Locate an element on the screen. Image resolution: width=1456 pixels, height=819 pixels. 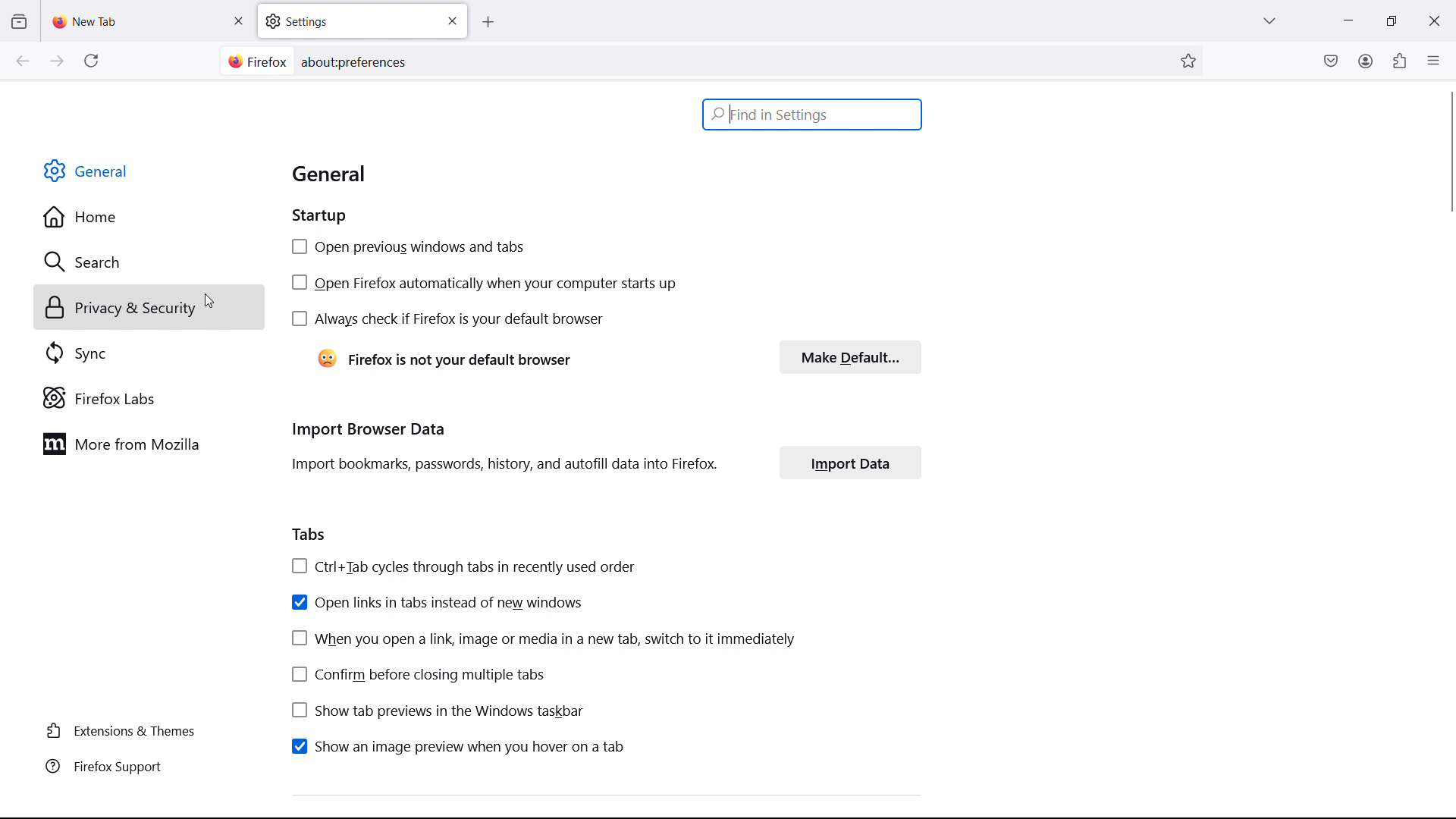
show an image preview when you hover on a tab checkbox is located at coordinates (462, 747).